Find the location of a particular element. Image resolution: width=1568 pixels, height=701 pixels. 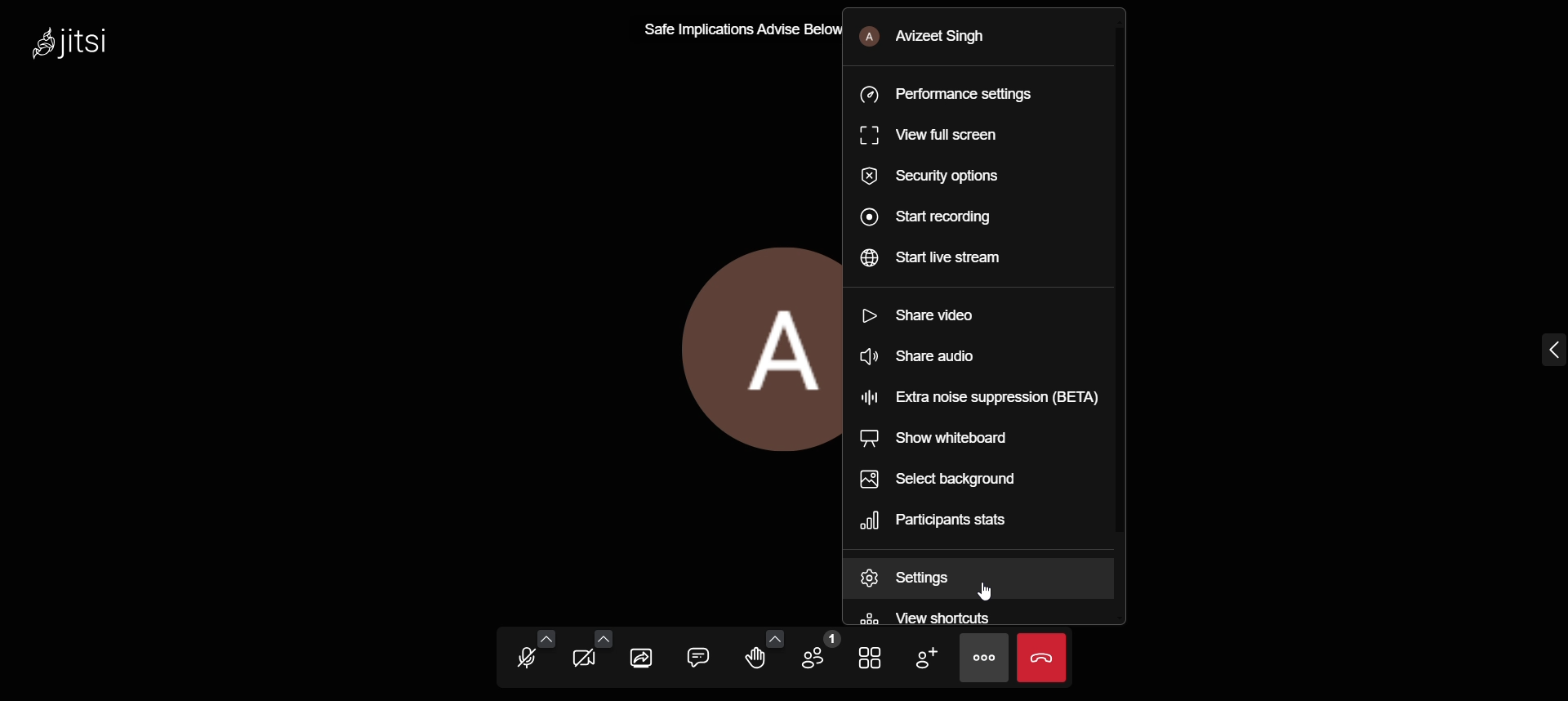

more reaction is located at coordinates (770, 637).